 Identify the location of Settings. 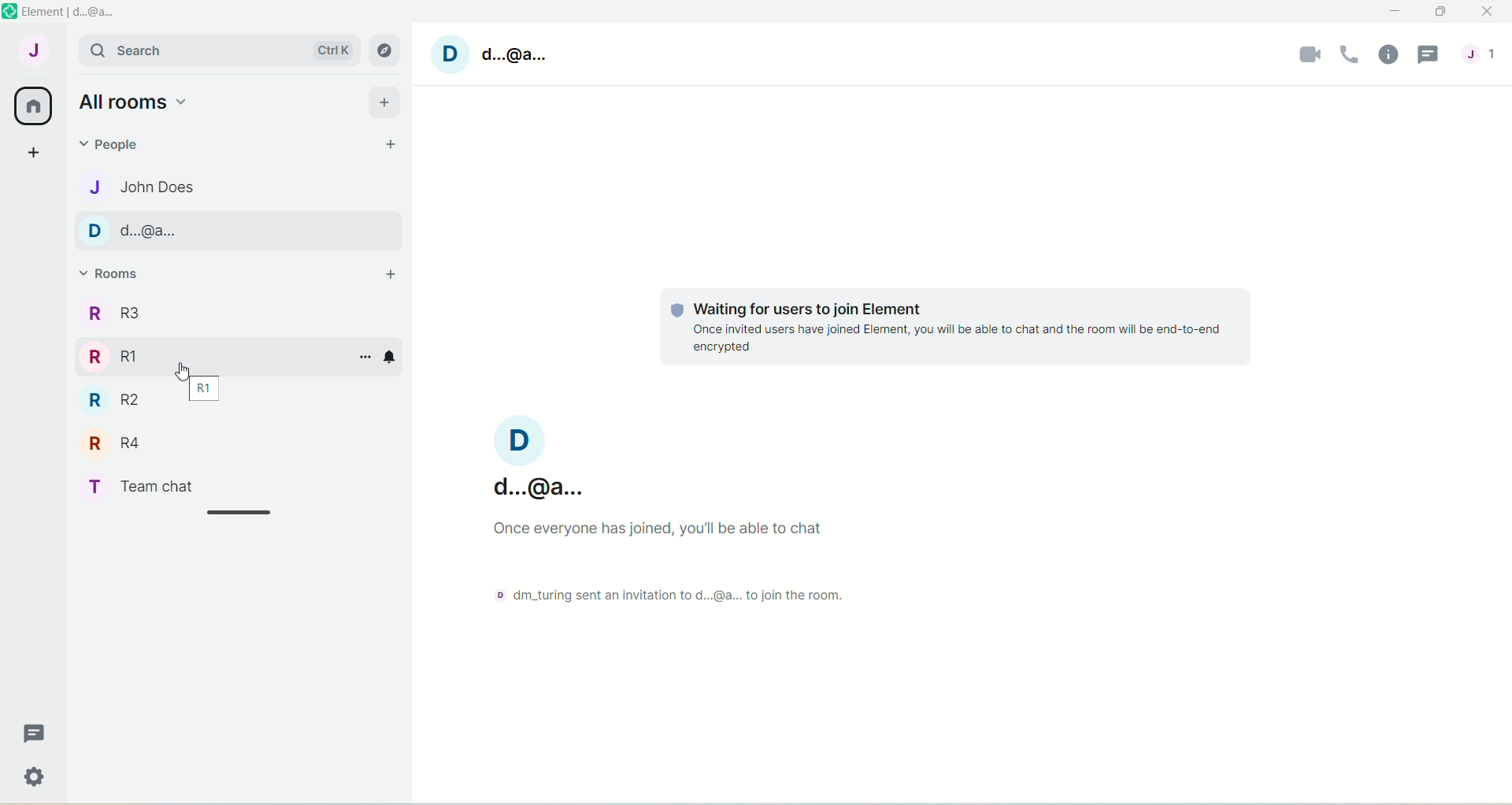
(32, 775).